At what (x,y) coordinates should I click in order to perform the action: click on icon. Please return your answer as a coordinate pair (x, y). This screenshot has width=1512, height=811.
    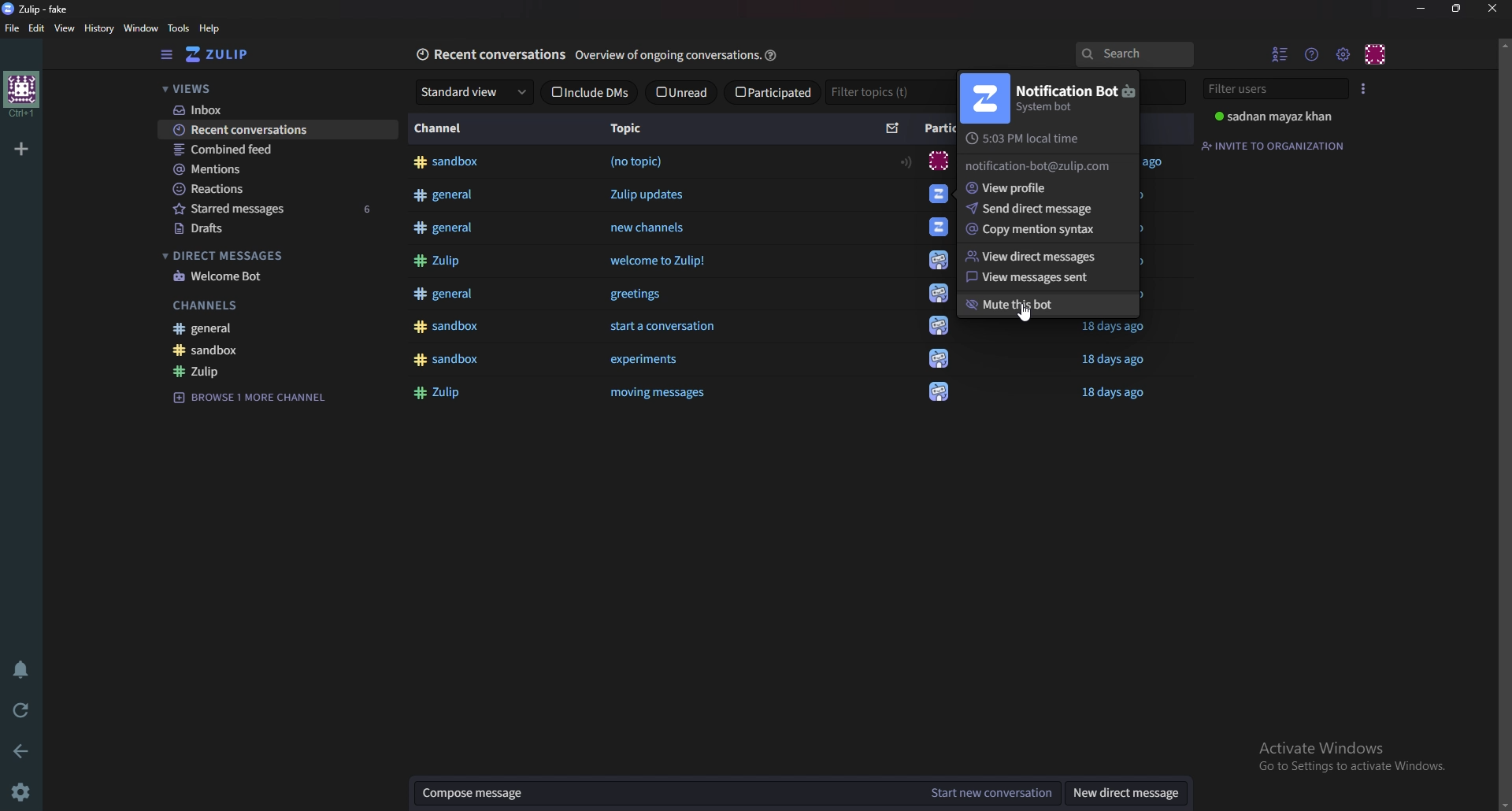
    Looking at the image, I should click on (943, 389).